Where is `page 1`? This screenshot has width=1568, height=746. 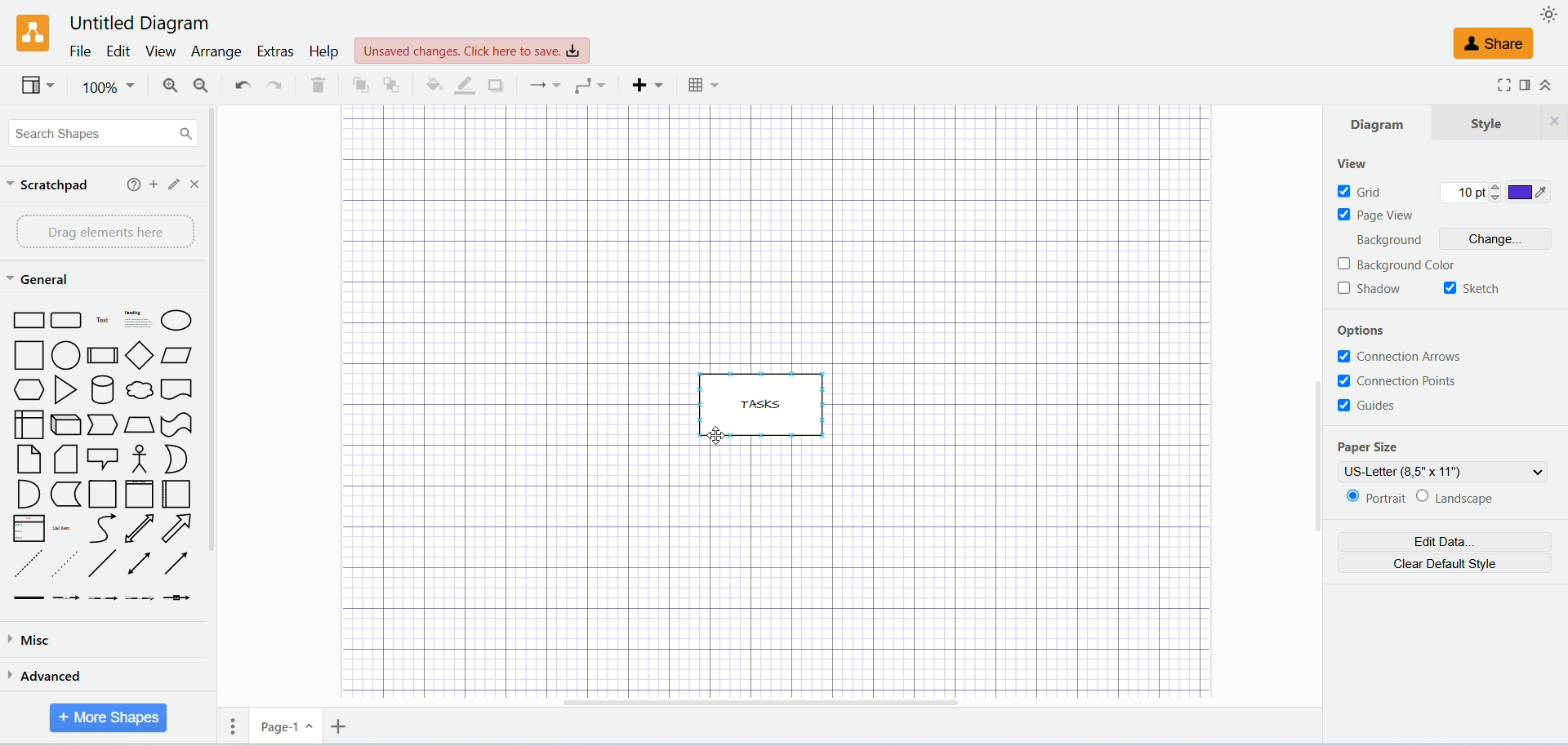 page 1 is located at coordinates (286, 726).